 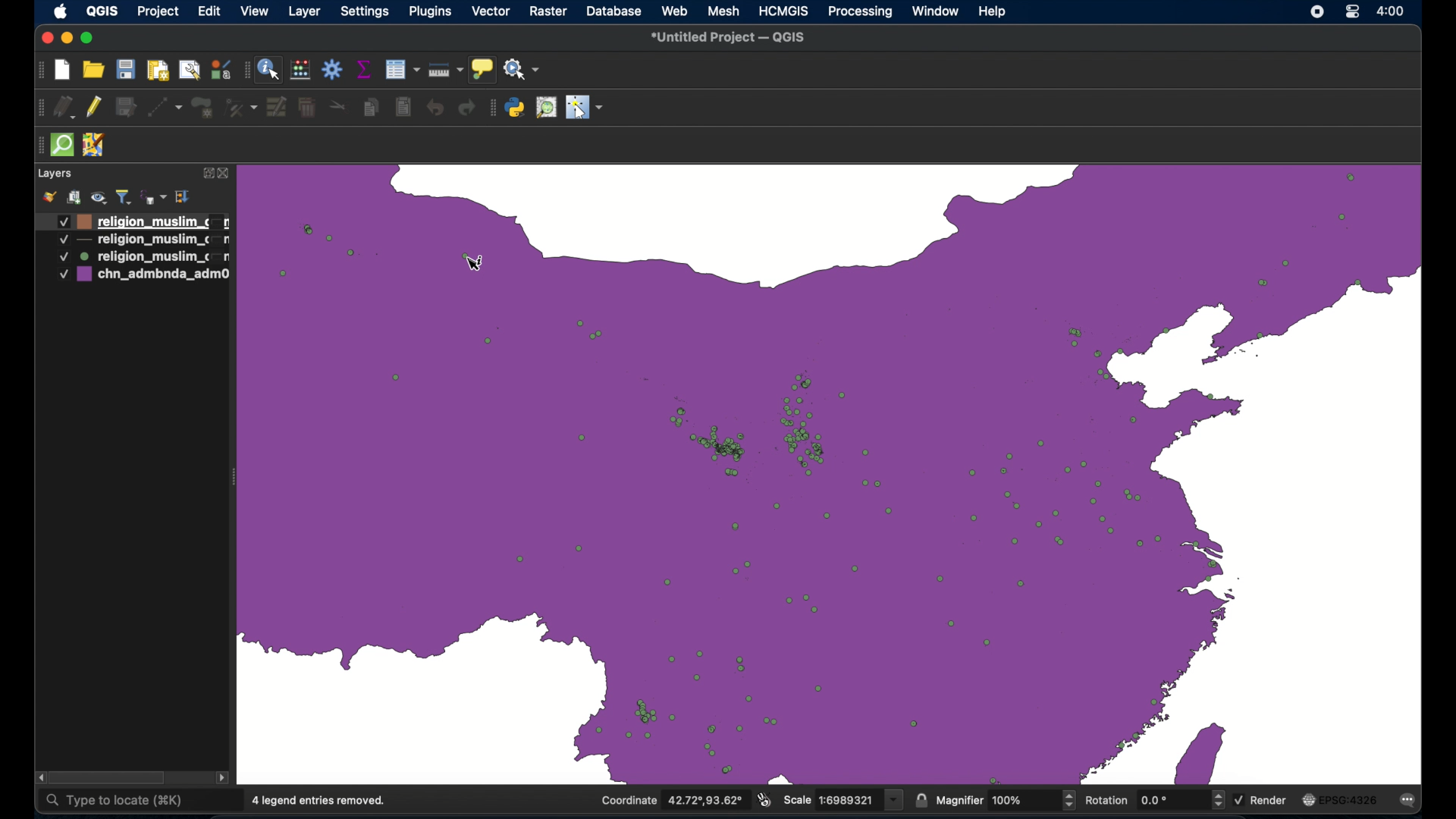 I want to click on rotation, so click(x=1153, y=799).